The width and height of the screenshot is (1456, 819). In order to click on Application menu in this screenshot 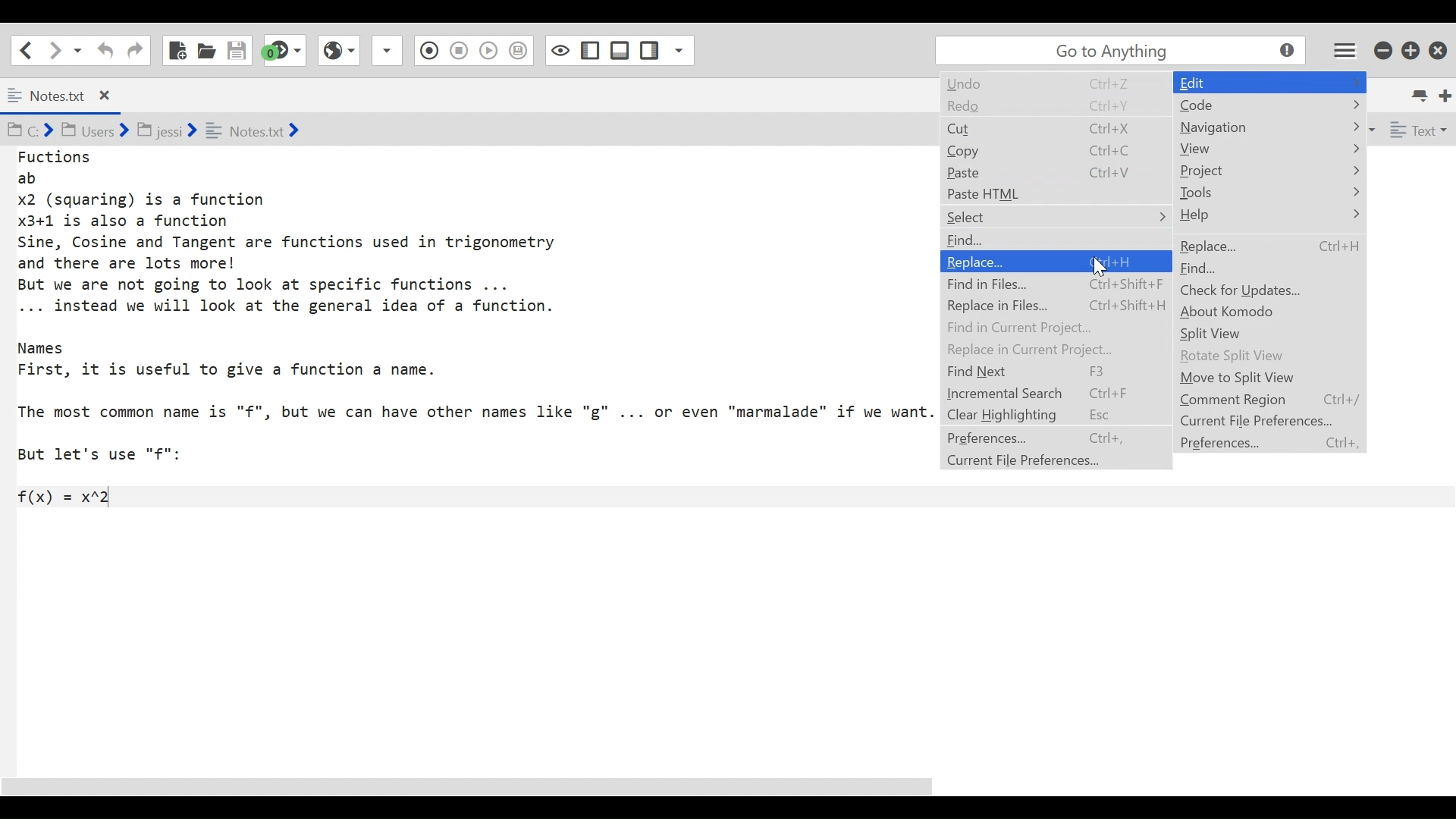, I will do `click(1346, 49)`.